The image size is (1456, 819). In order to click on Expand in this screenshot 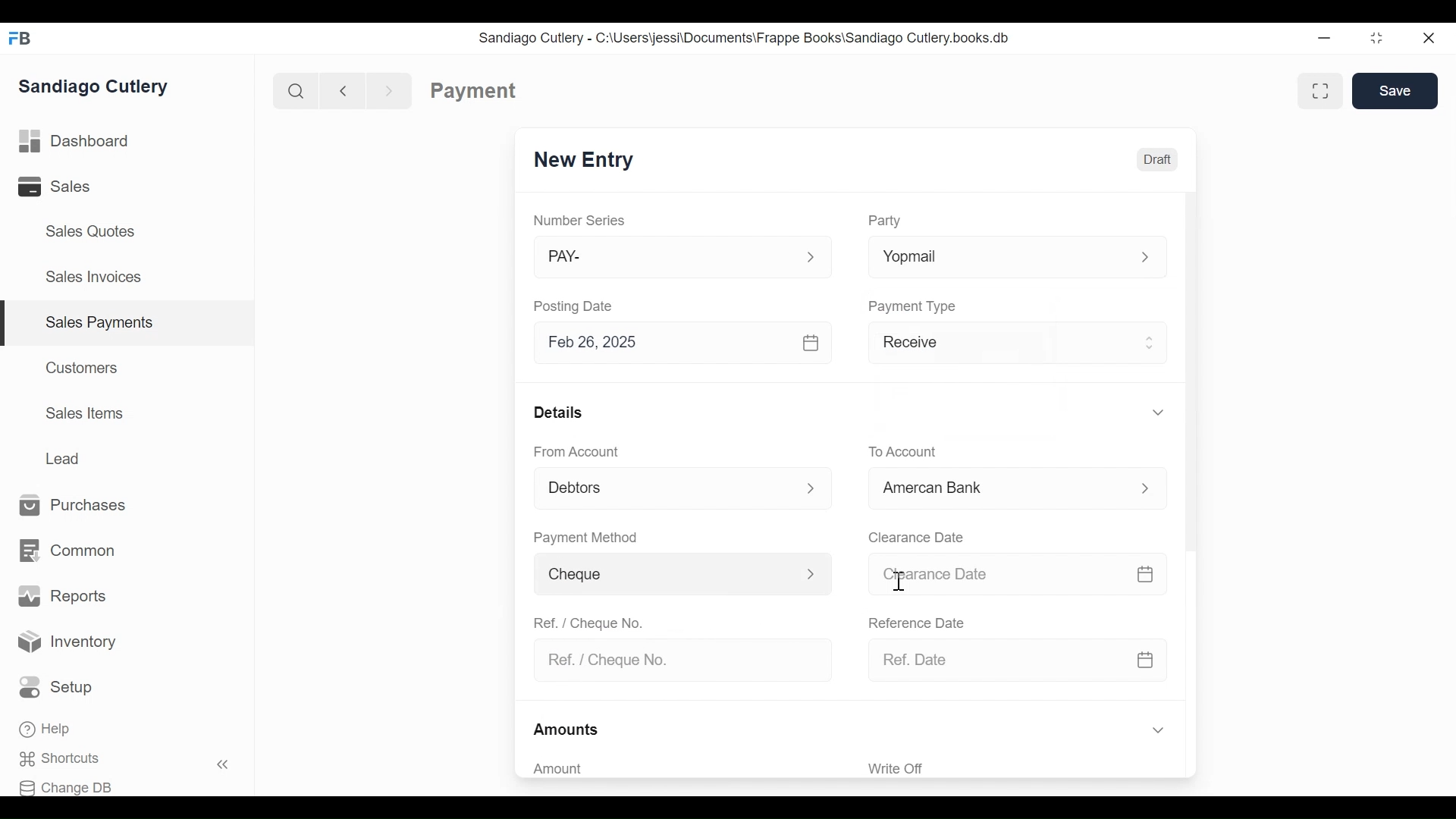, I will do `click(811, 573)`.